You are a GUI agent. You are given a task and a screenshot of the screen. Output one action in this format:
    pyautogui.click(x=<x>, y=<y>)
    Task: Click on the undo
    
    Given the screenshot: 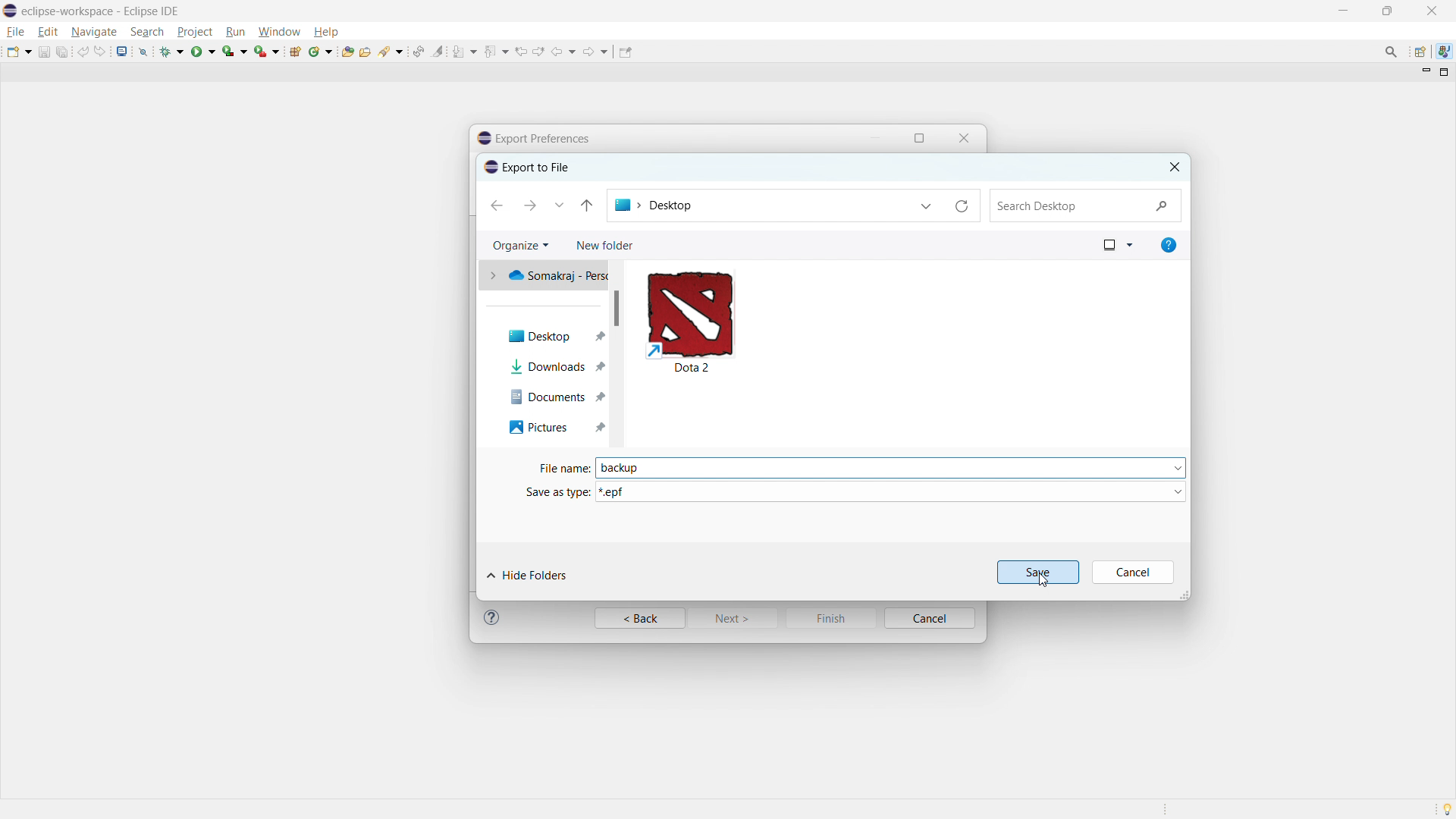 What is the action you would take?
    pyautogui.click(x=83, y=52)
    